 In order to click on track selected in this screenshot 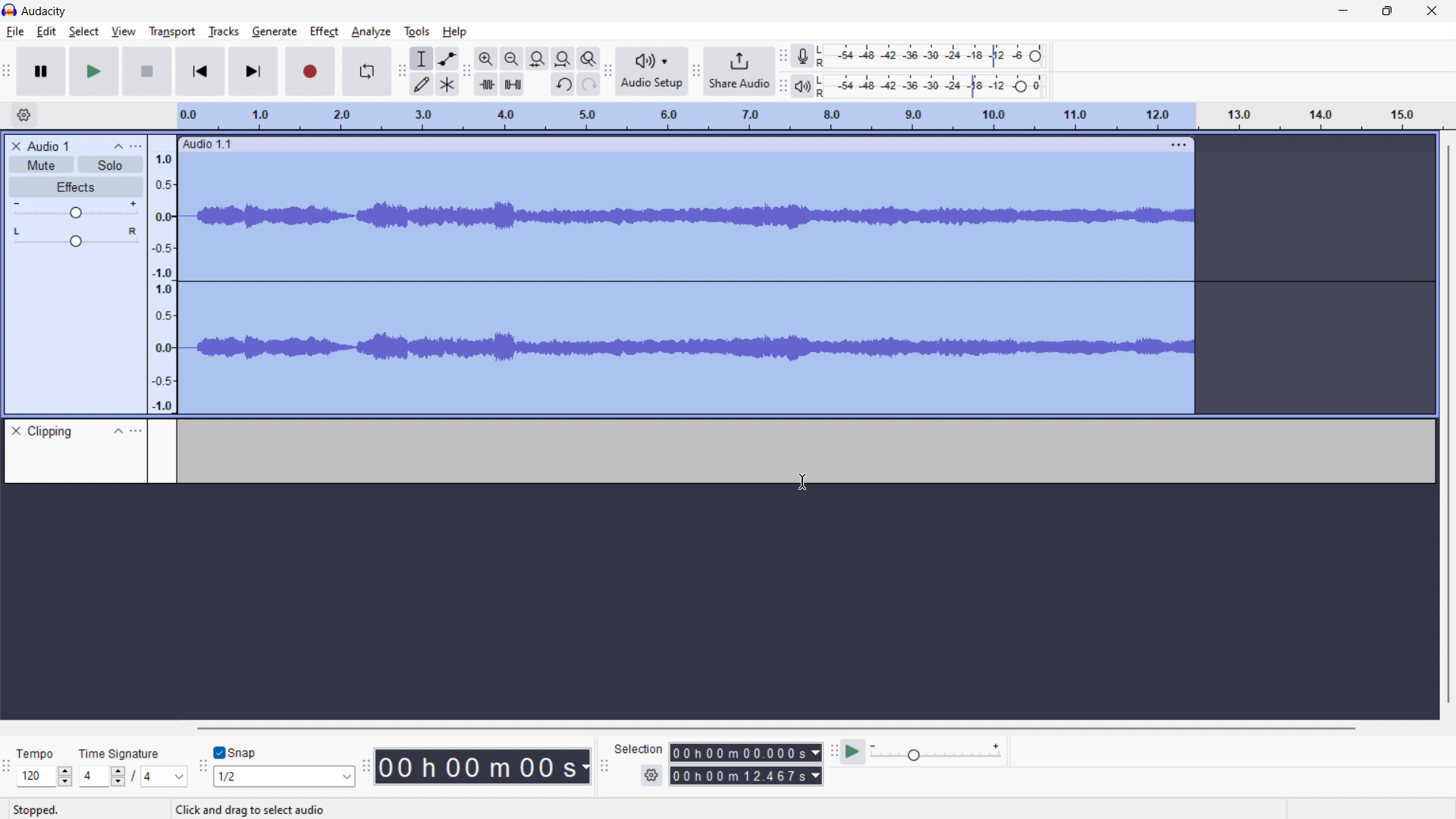, I will do `click(685, 281)`.